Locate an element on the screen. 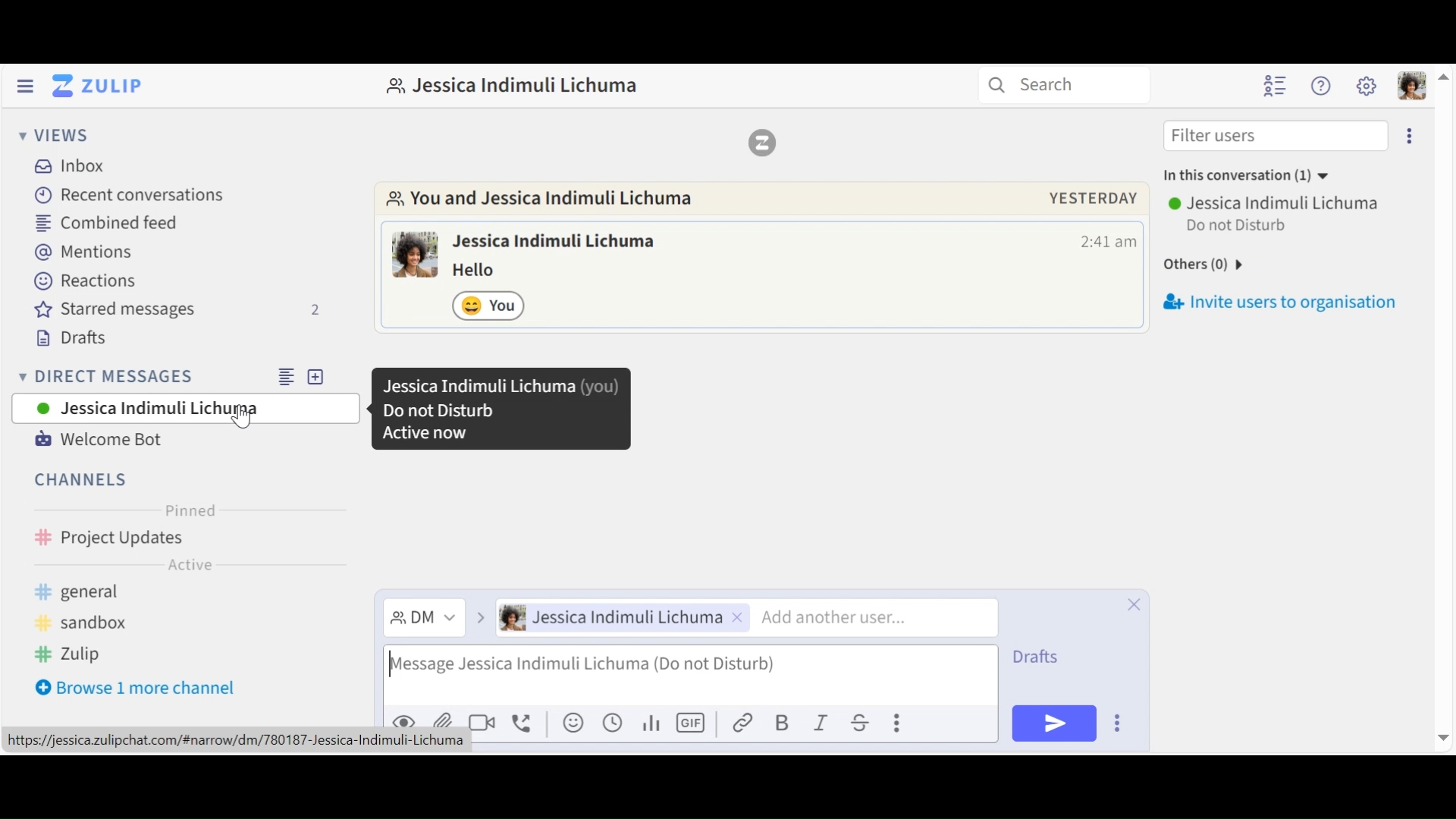 The image size is (1456, 819). Add global time is located at coordinates (611, 723).